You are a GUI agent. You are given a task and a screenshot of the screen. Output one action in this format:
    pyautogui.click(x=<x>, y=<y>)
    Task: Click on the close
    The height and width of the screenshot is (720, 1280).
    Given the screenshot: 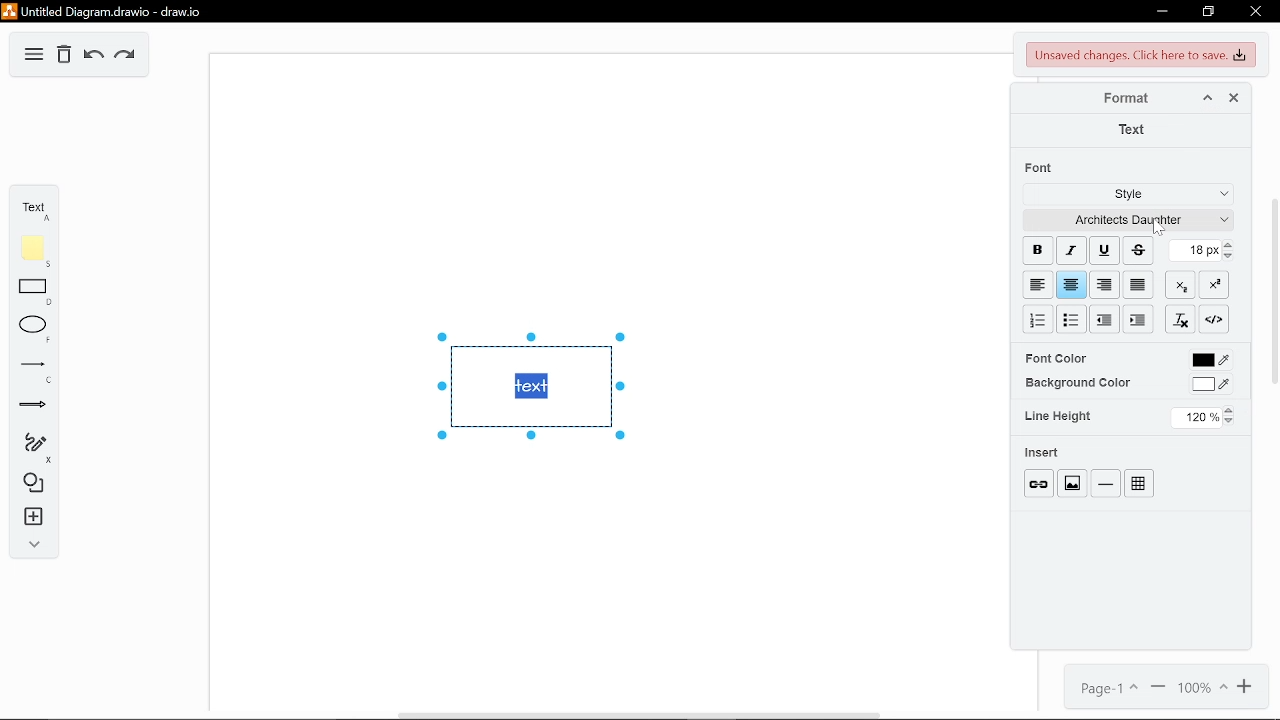 What is the action you would take?
    pyautogui.click(x=1230, y=98)
    